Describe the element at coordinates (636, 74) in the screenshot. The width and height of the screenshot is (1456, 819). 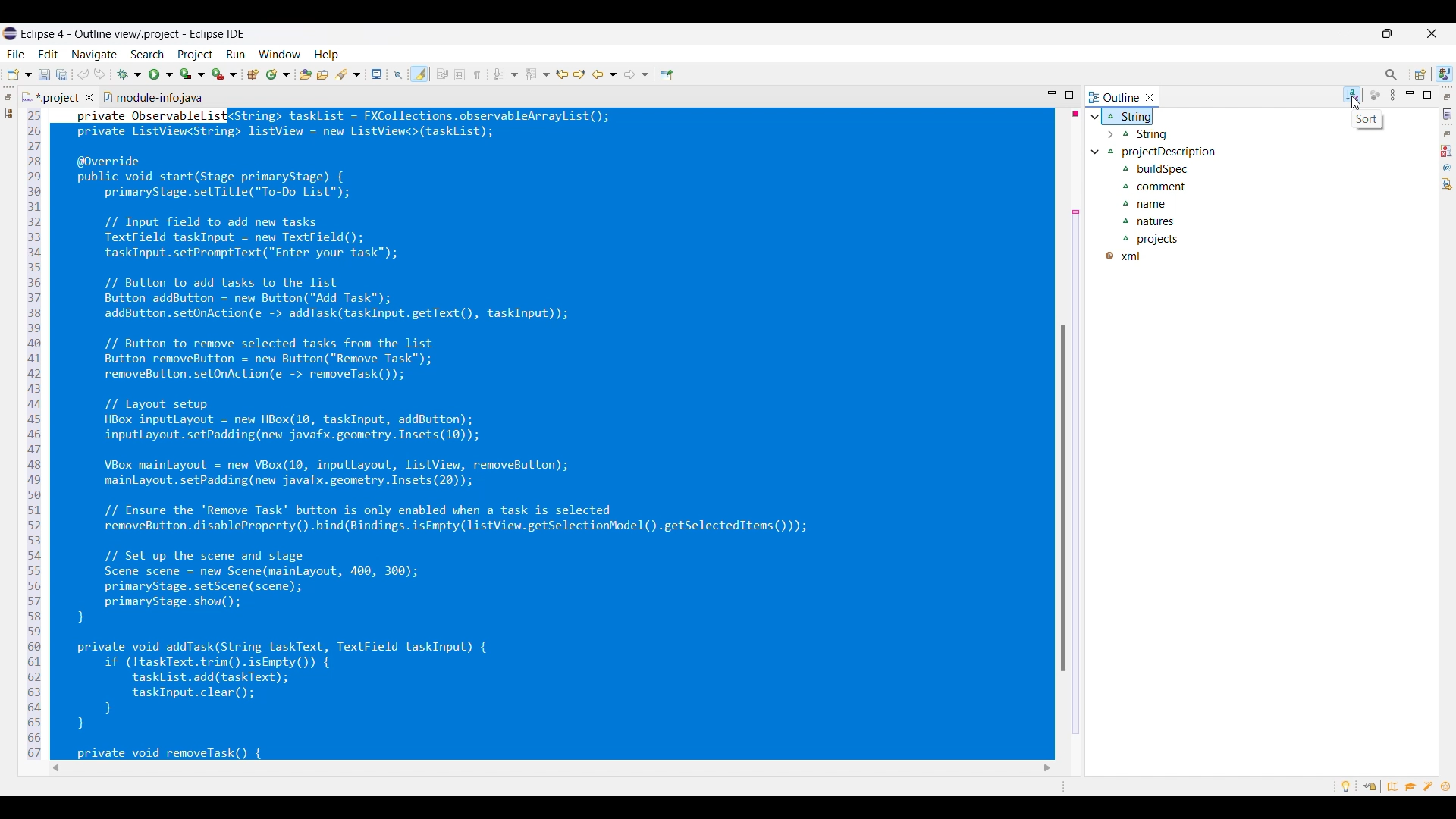
I see `Forward options` at that location.